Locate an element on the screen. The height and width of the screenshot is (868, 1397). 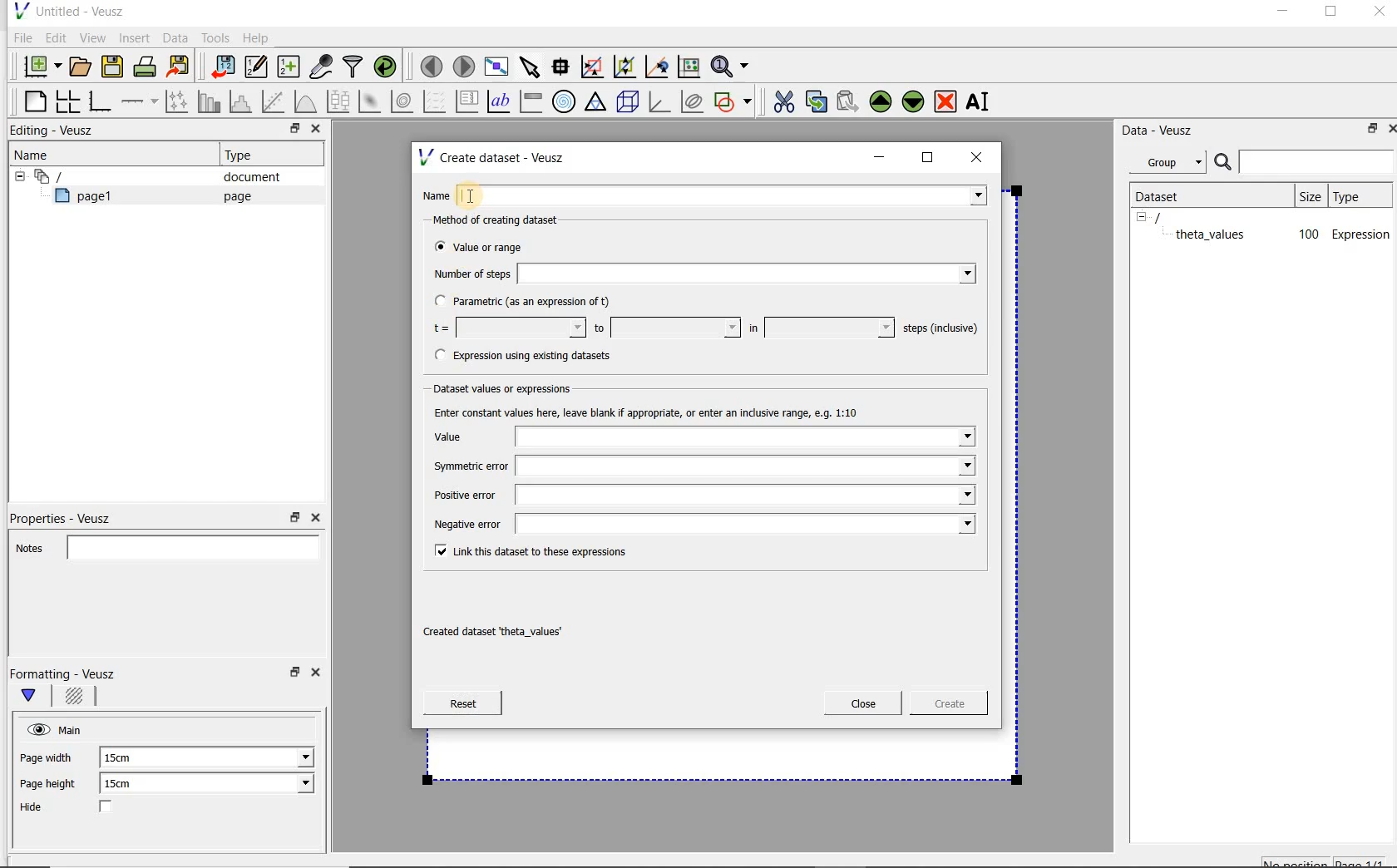
Fit a function to data is located at coordinates (275, 101).